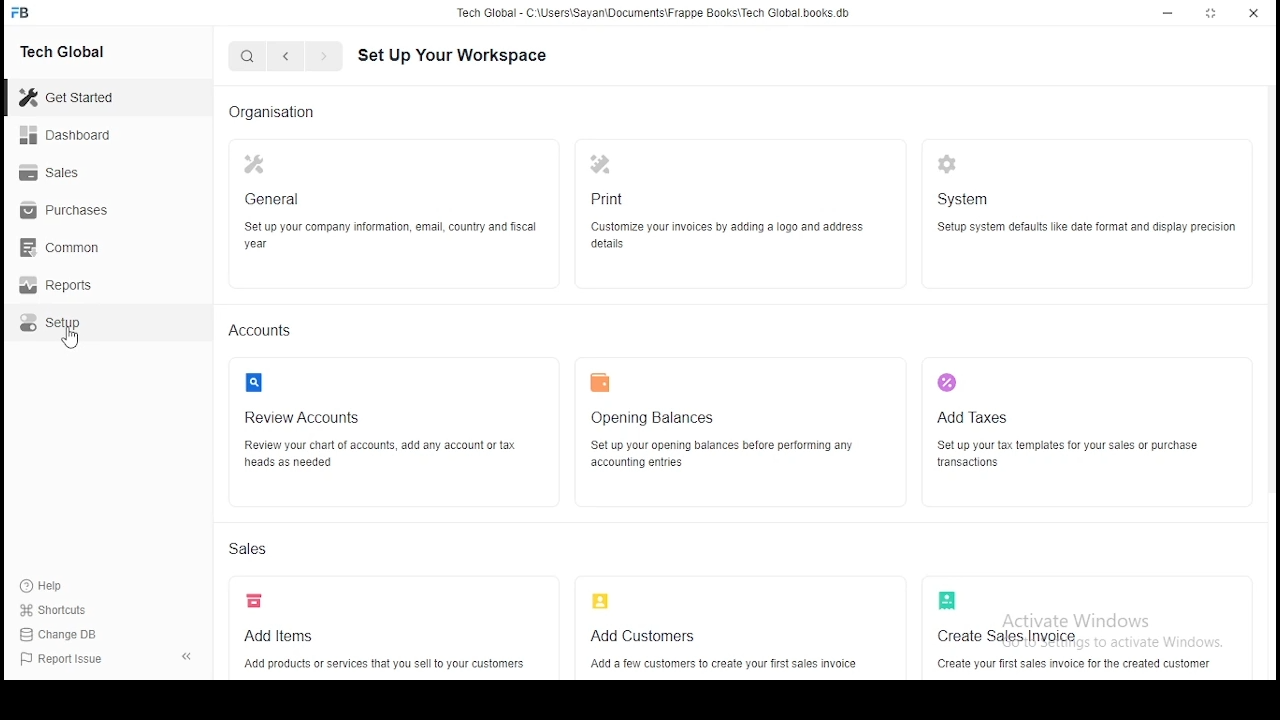 Image resolution: width=1280 pixels, height=720 pixels. Describe the element at coordinates (391, 633) in the screenshot. I see `Add item ` at that location.